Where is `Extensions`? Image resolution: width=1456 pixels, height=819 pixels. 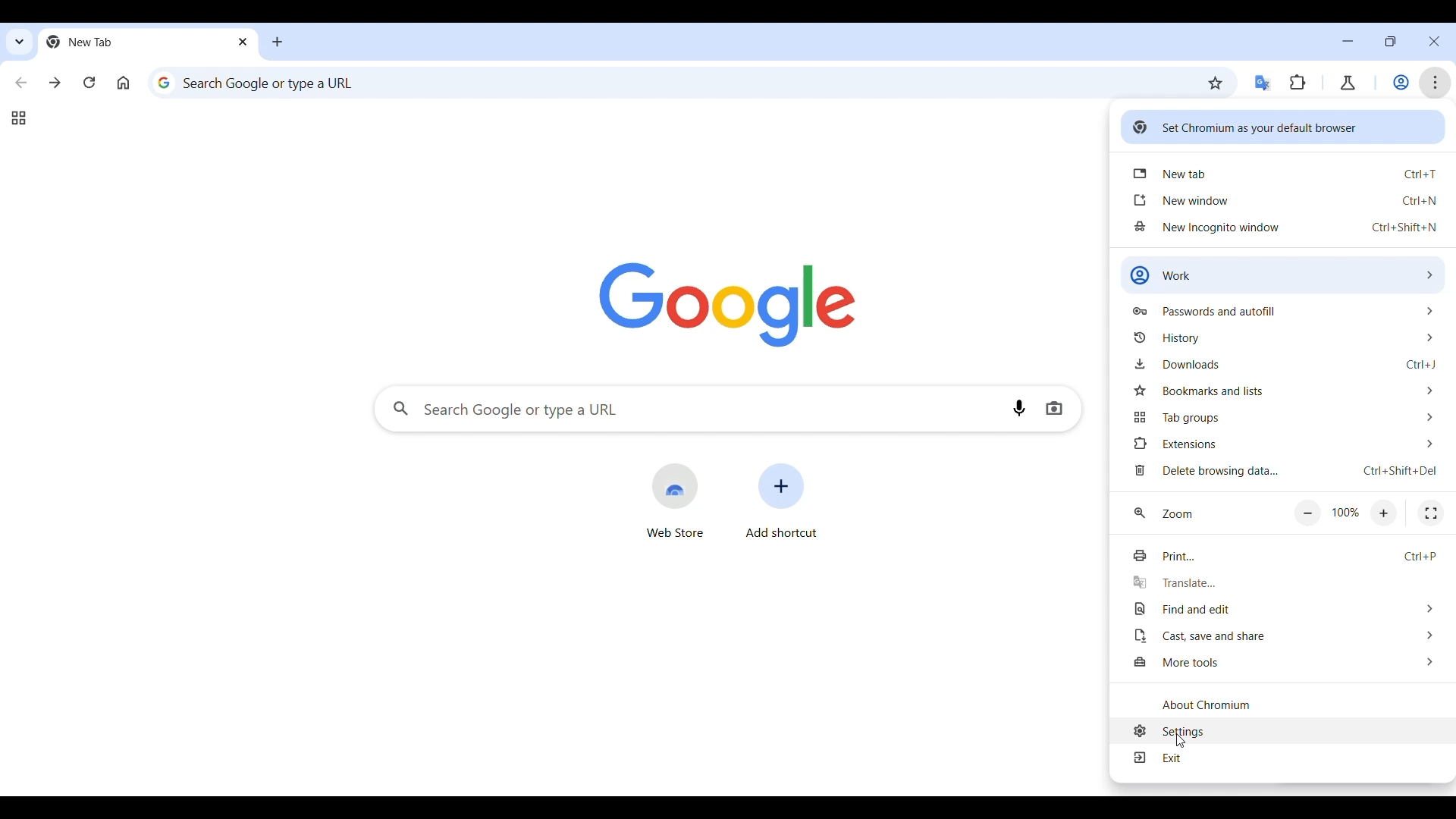 Extensions is located at coordinates (1298, 82).